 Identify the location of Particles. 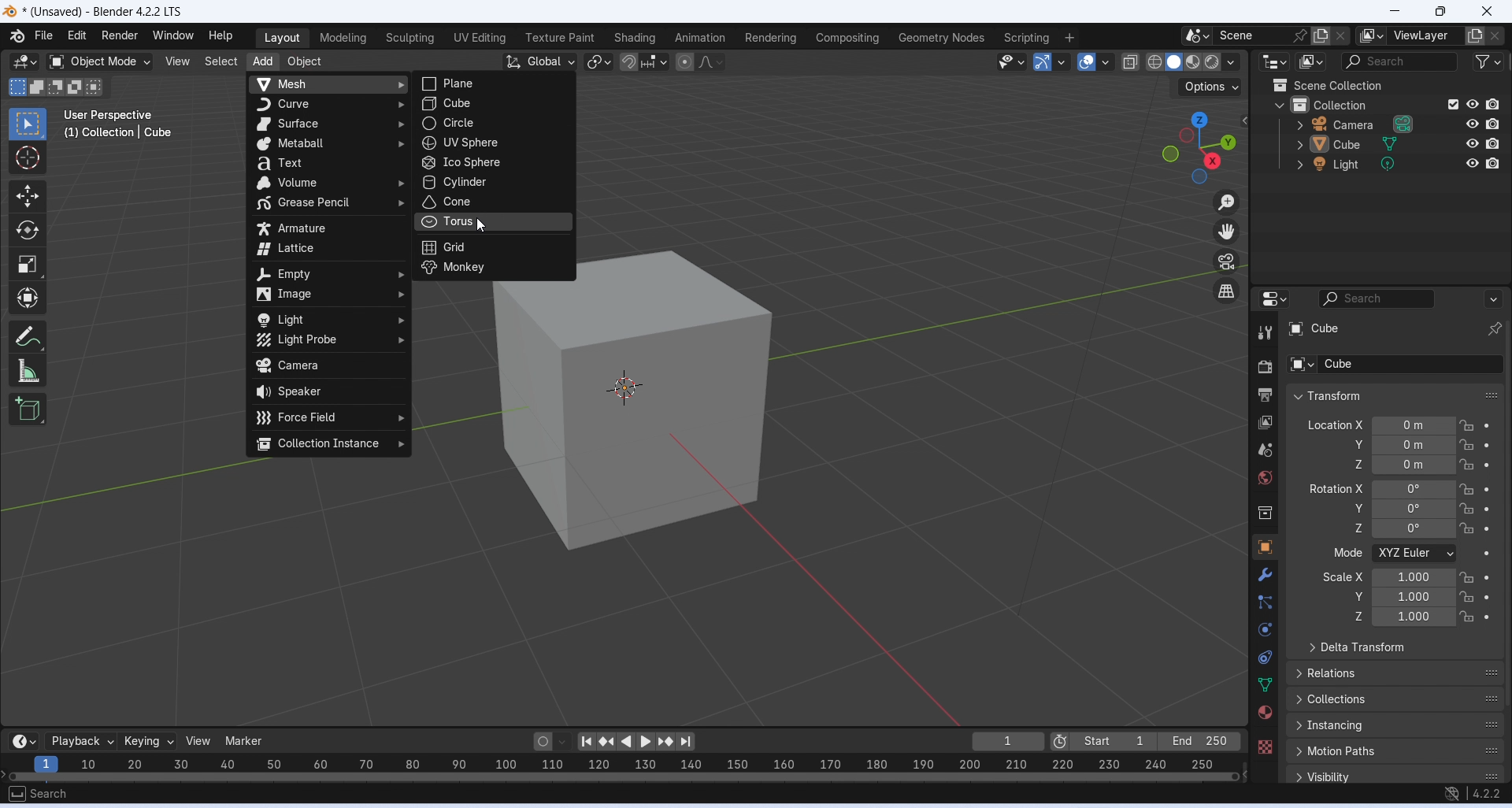
(1266, 602).